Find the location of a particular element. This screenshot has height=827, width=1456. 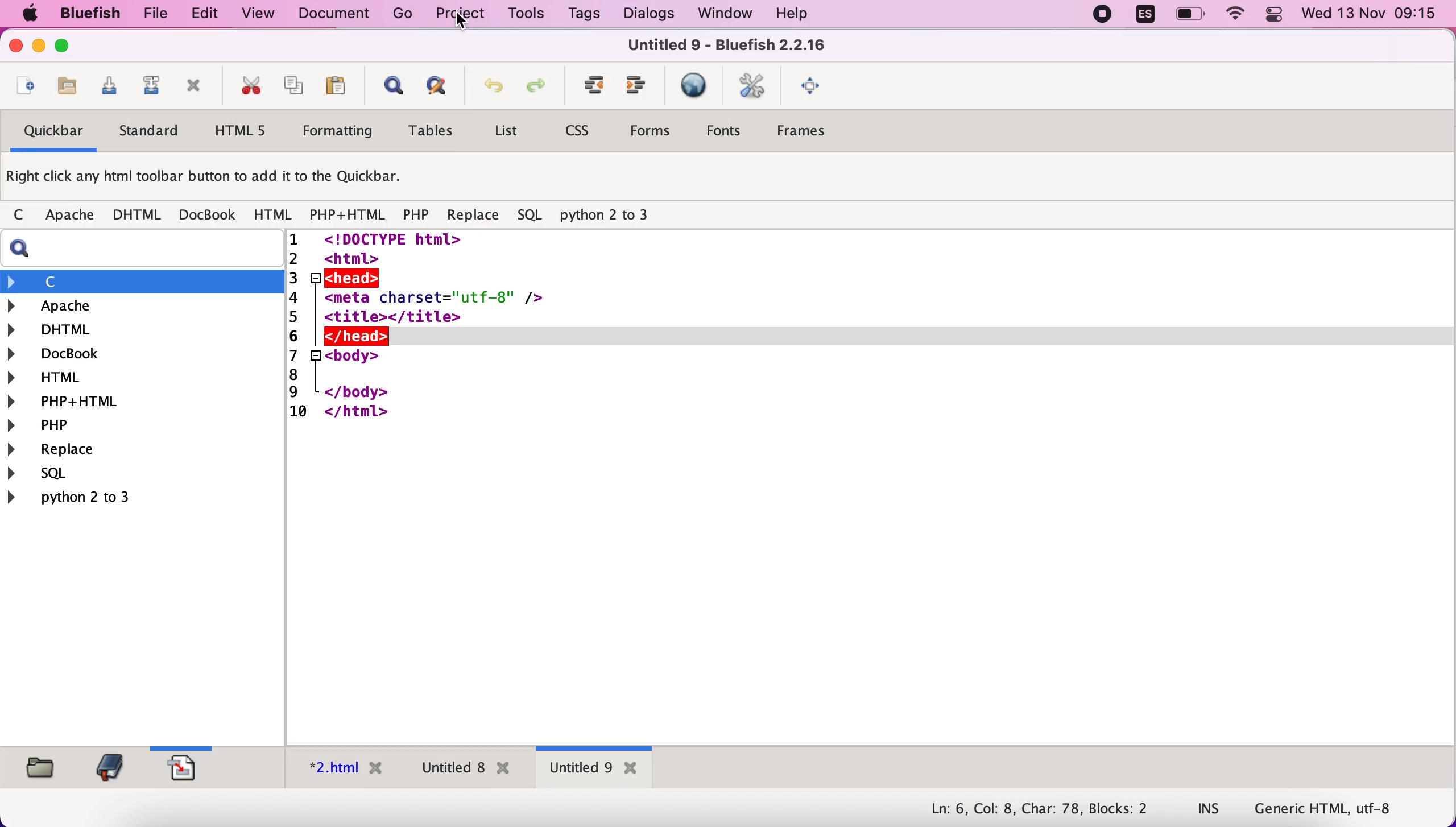

edit preferences is located at coordinates (754, 88).